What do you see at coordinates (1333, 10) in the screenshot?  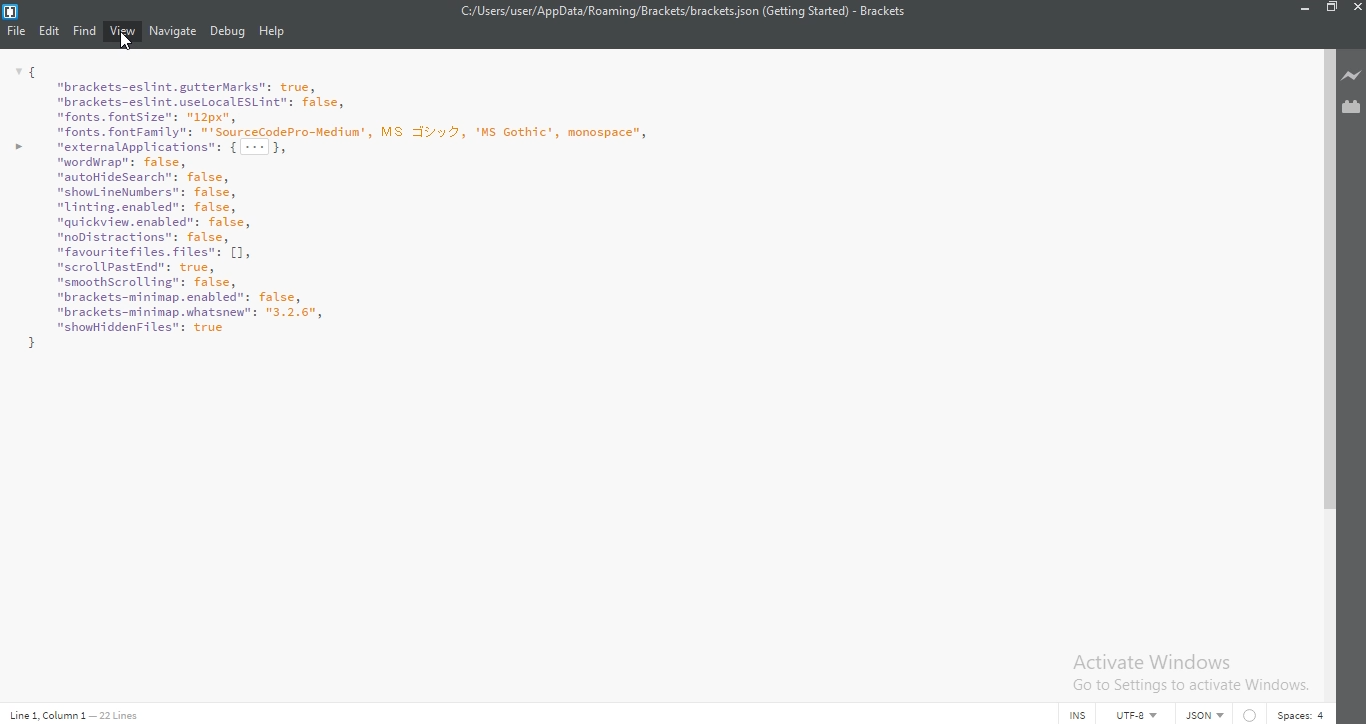 I see `Restore` at bounding box center [1333, 10].